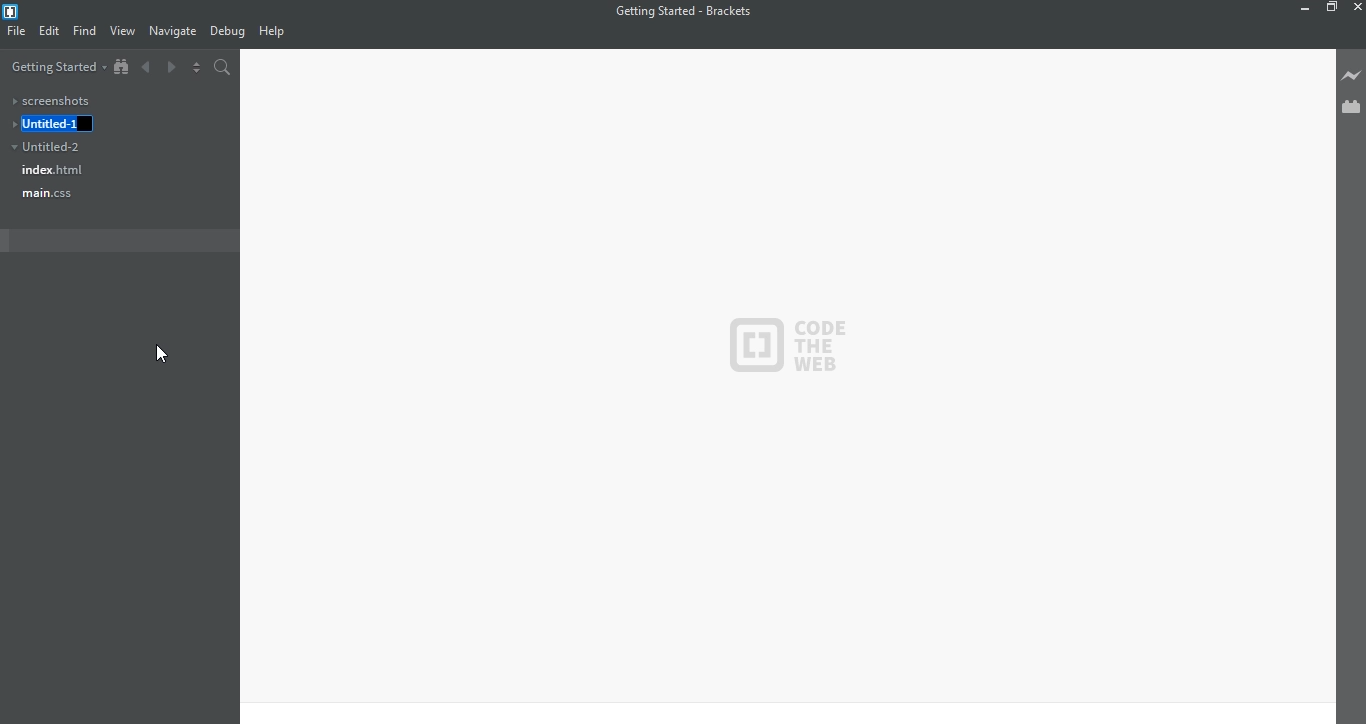 This screenshot has width=1366, height=724. I want to click on main.css, so click(47, 195).